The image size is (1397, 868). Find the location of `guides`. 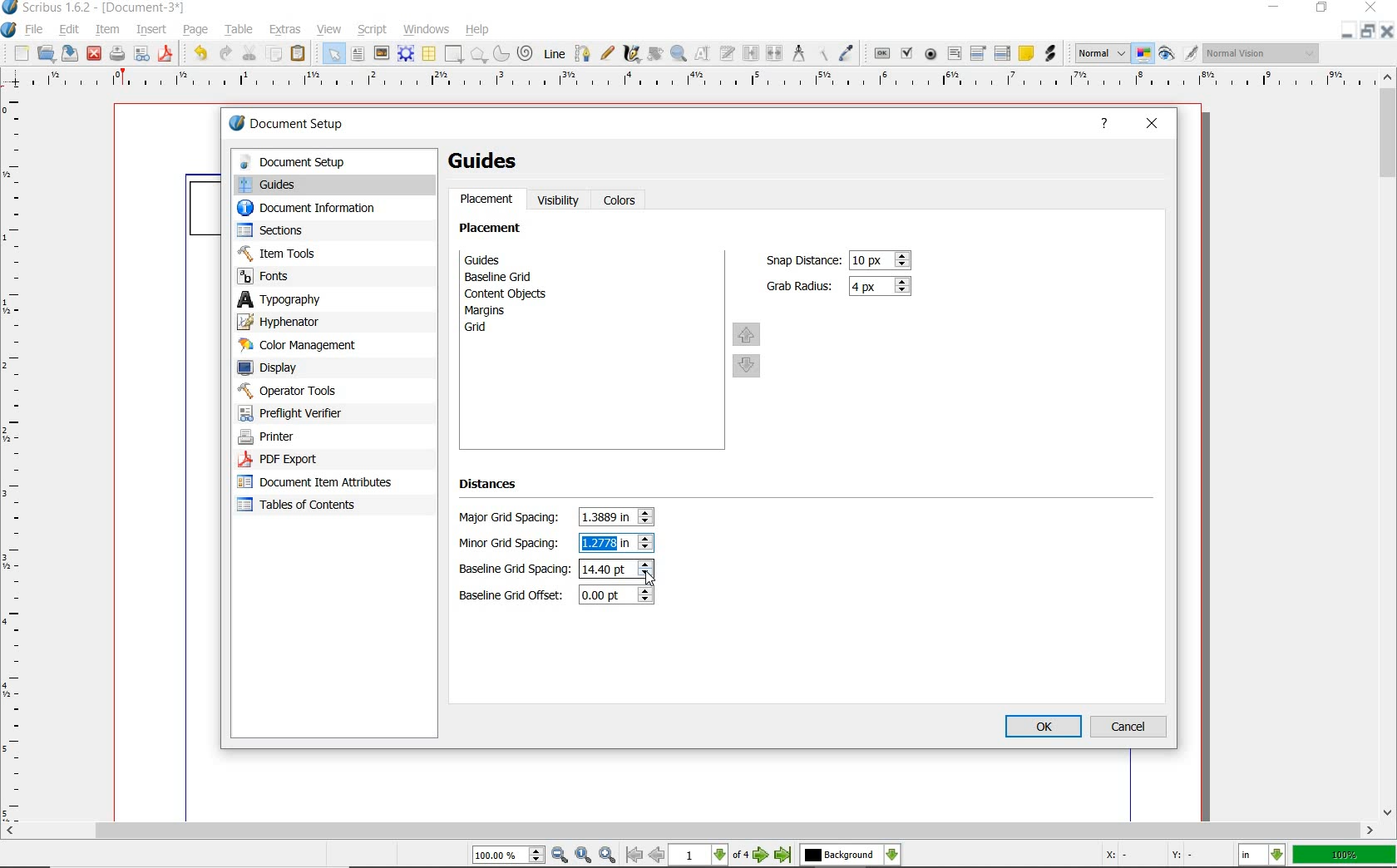

guides is located at coordinates (333, 186).